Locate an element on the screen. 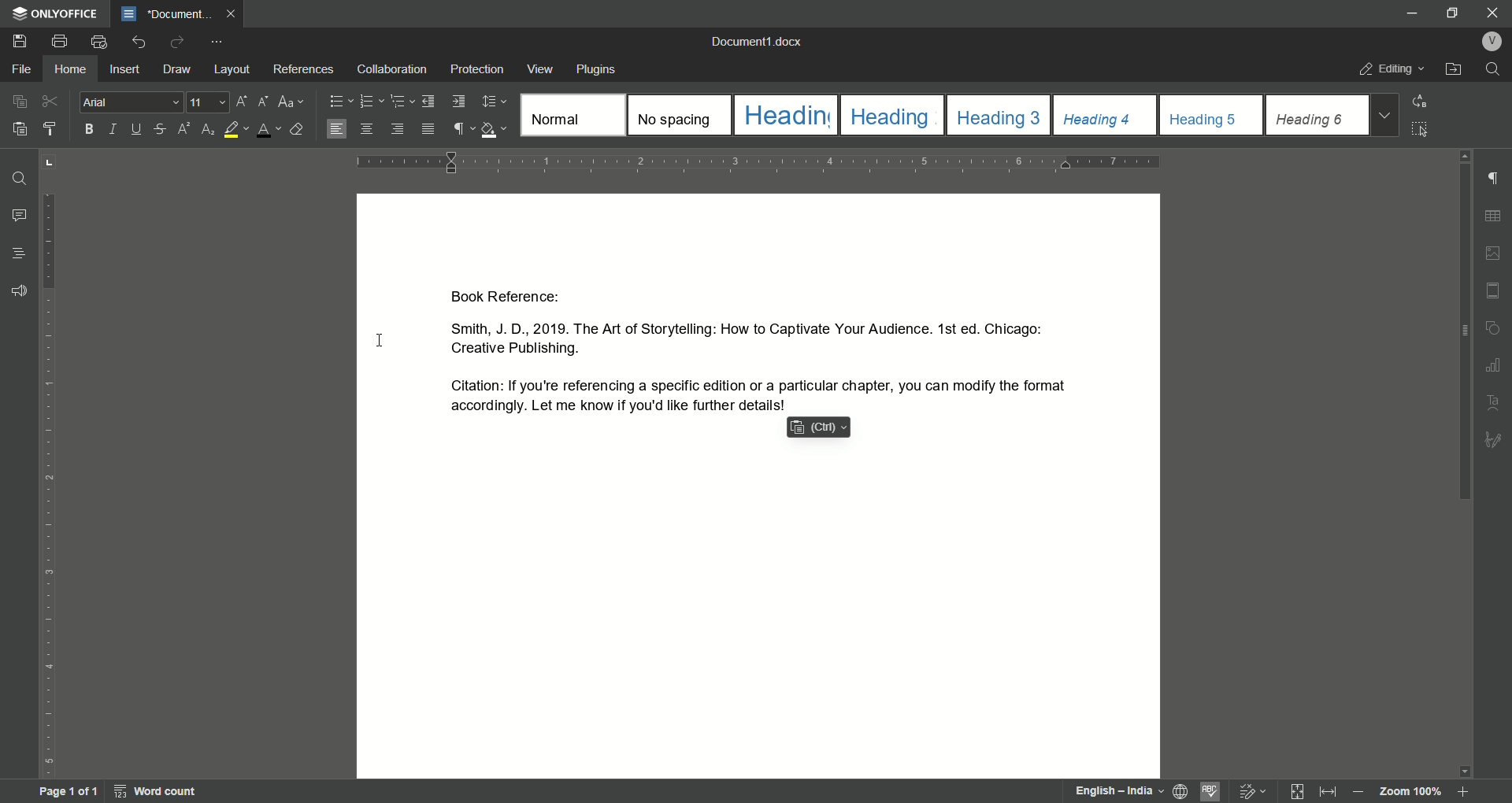 The height and width of the screenshot is (803, 1512). nonprinting character is located at coordinates (462, 128).